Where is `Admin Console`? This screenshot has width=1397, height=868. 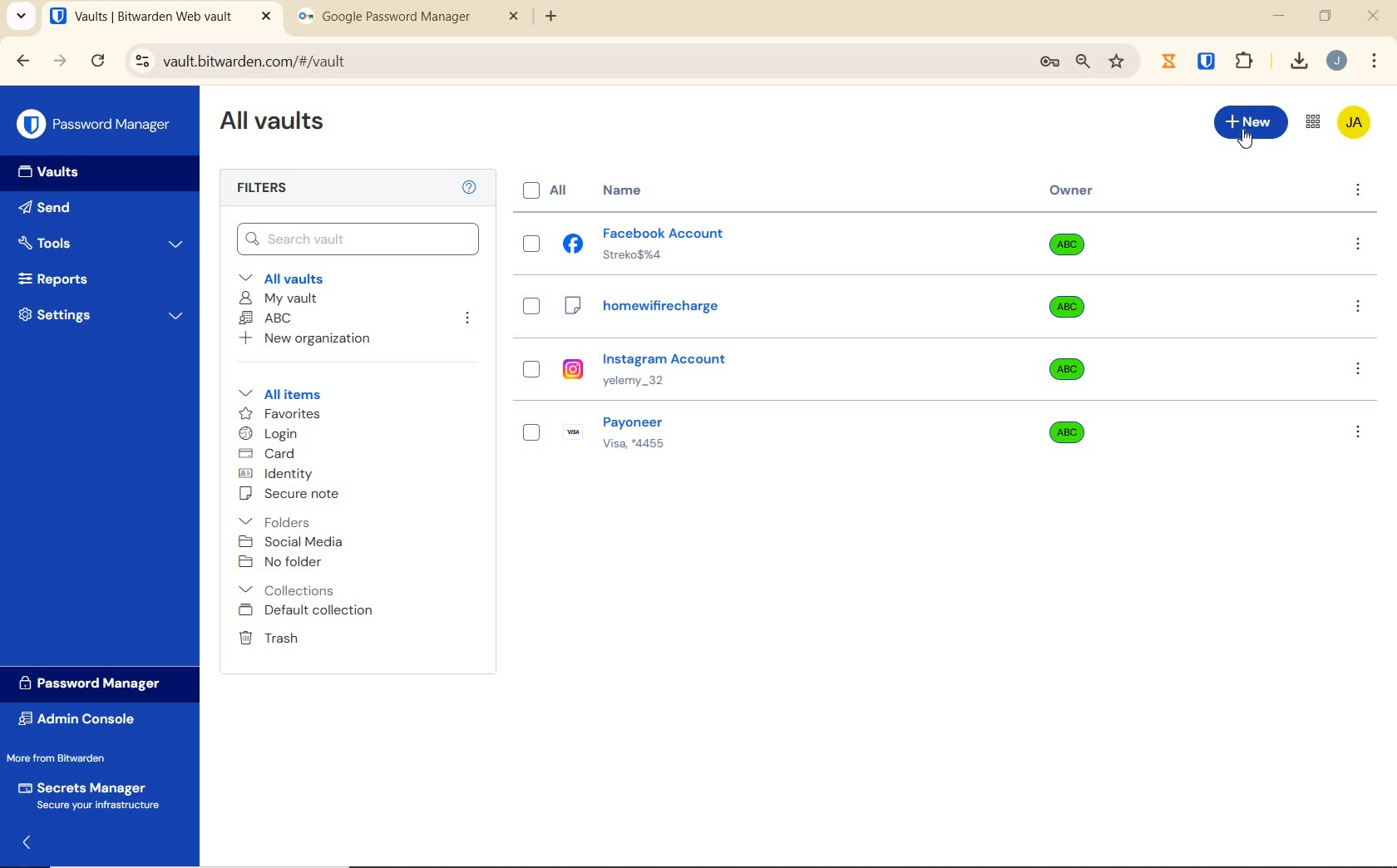 Admin Console is located at coordinates (81, 721).